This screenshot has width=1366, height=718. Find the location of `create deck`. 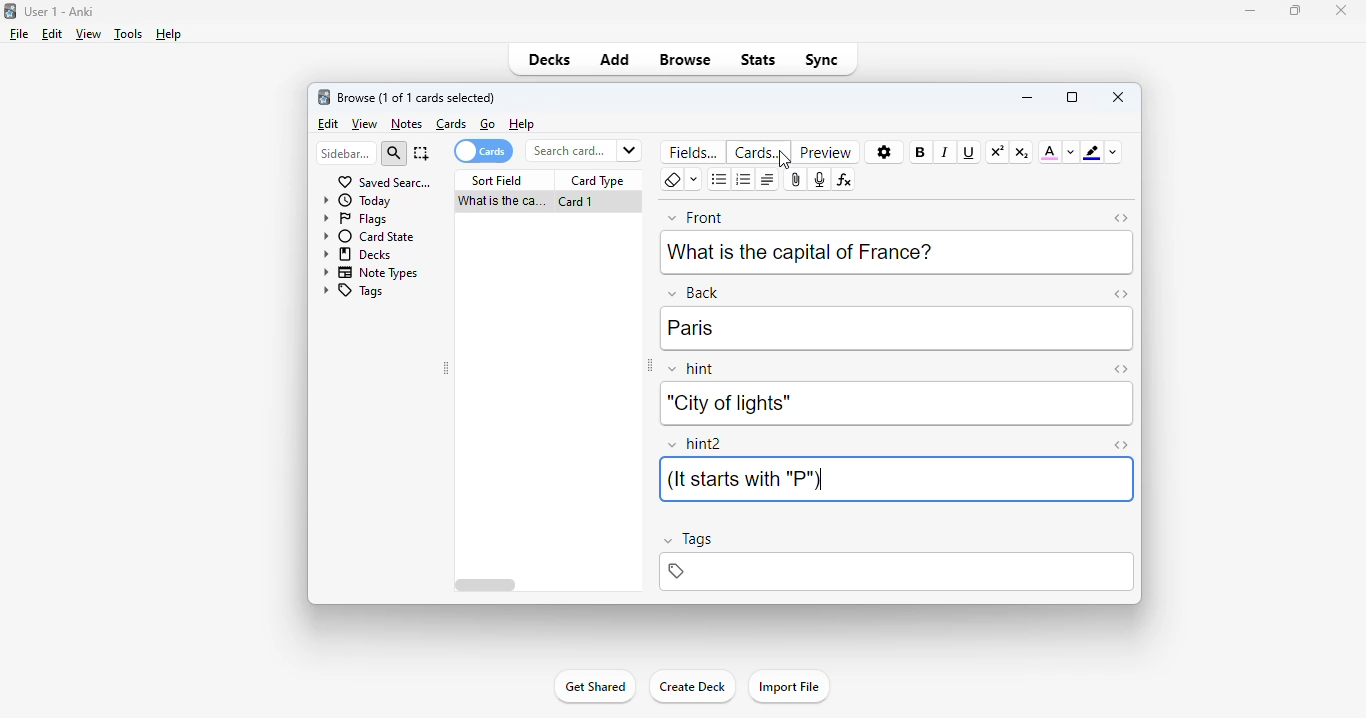

create deck is located at coordinates (691, 685).